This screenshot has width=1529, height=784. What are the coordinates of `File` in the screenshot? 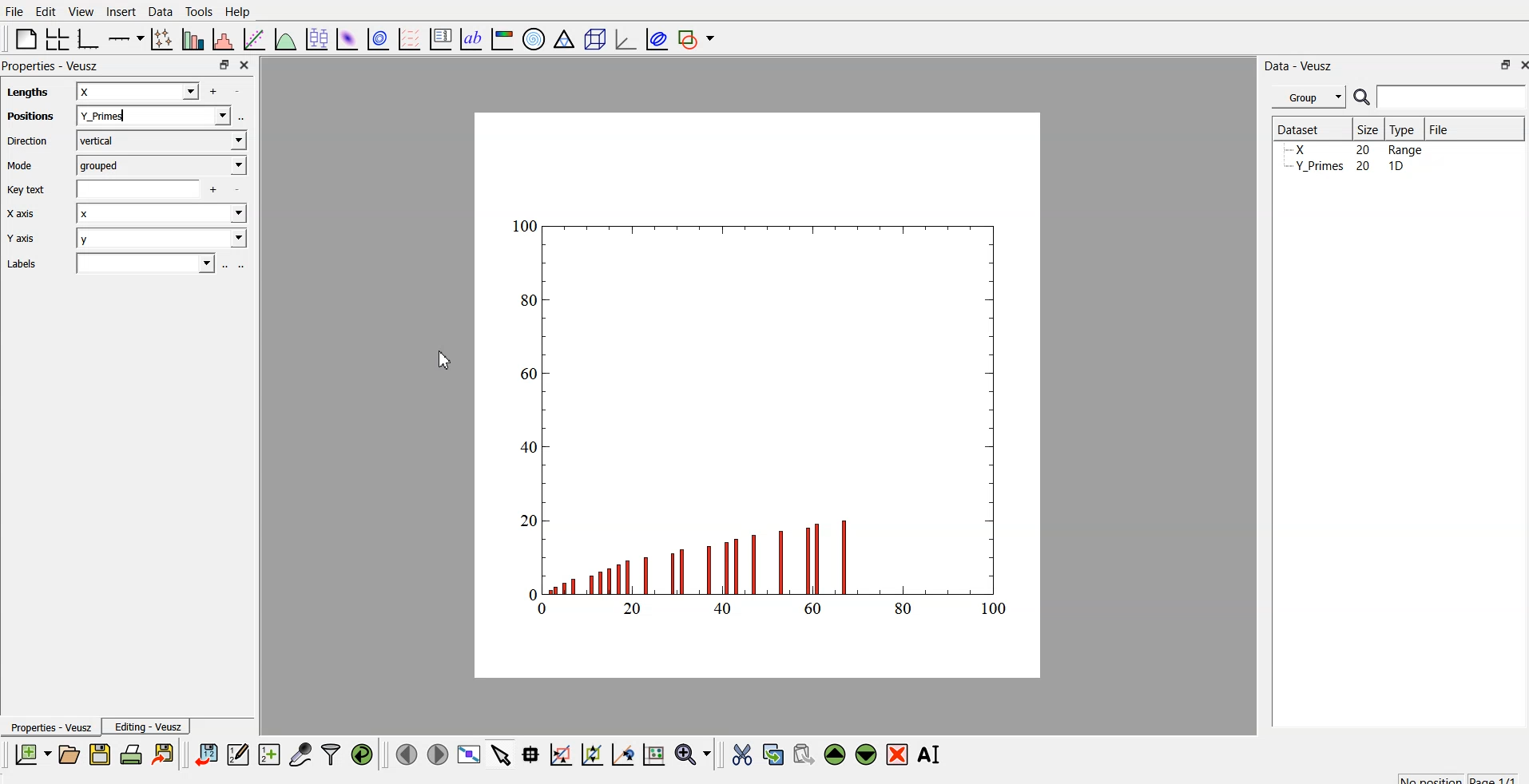 It's located at (1438, 127).